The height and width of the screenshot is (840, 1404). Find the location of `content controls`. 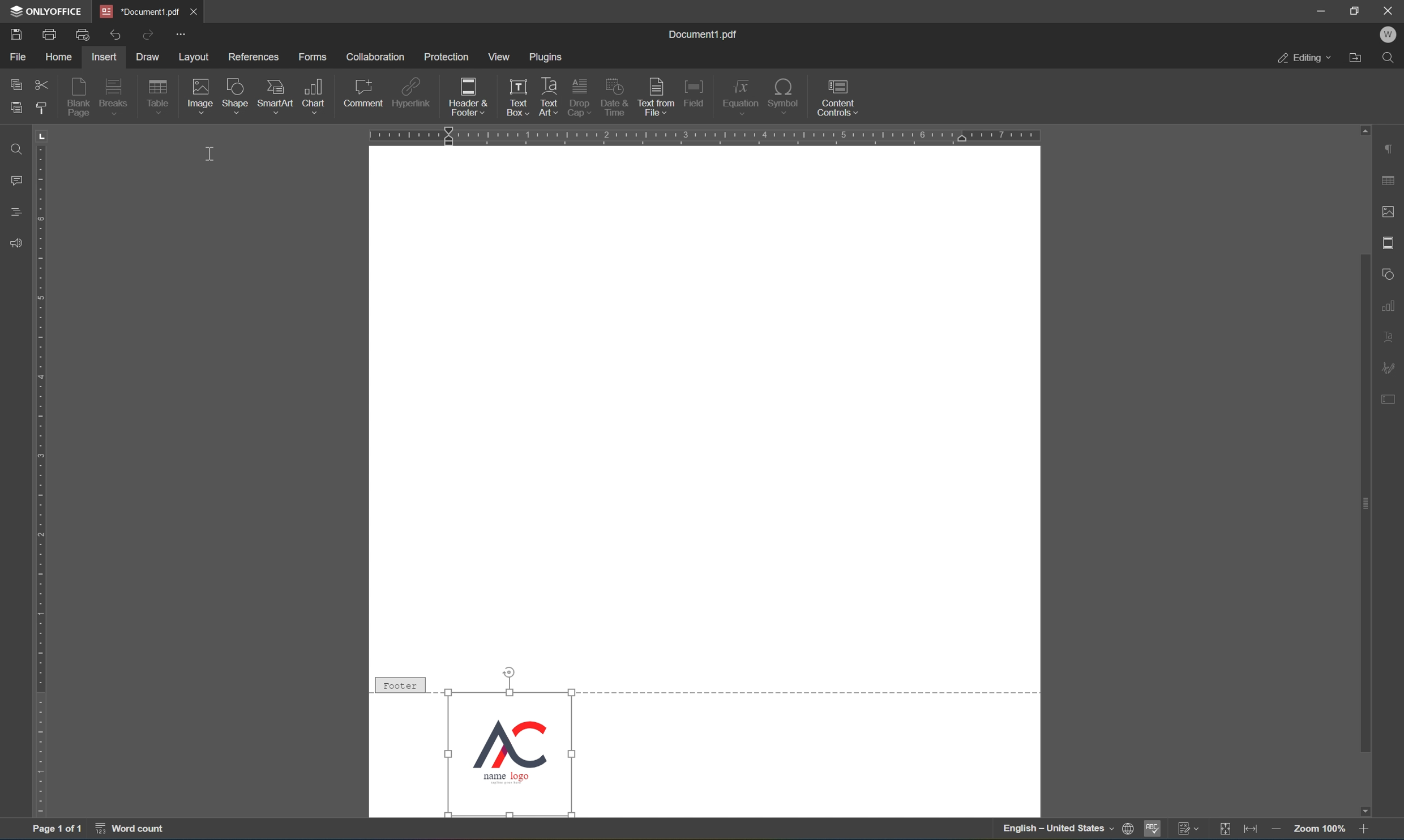

content controls is located at coordinates (838, 97).